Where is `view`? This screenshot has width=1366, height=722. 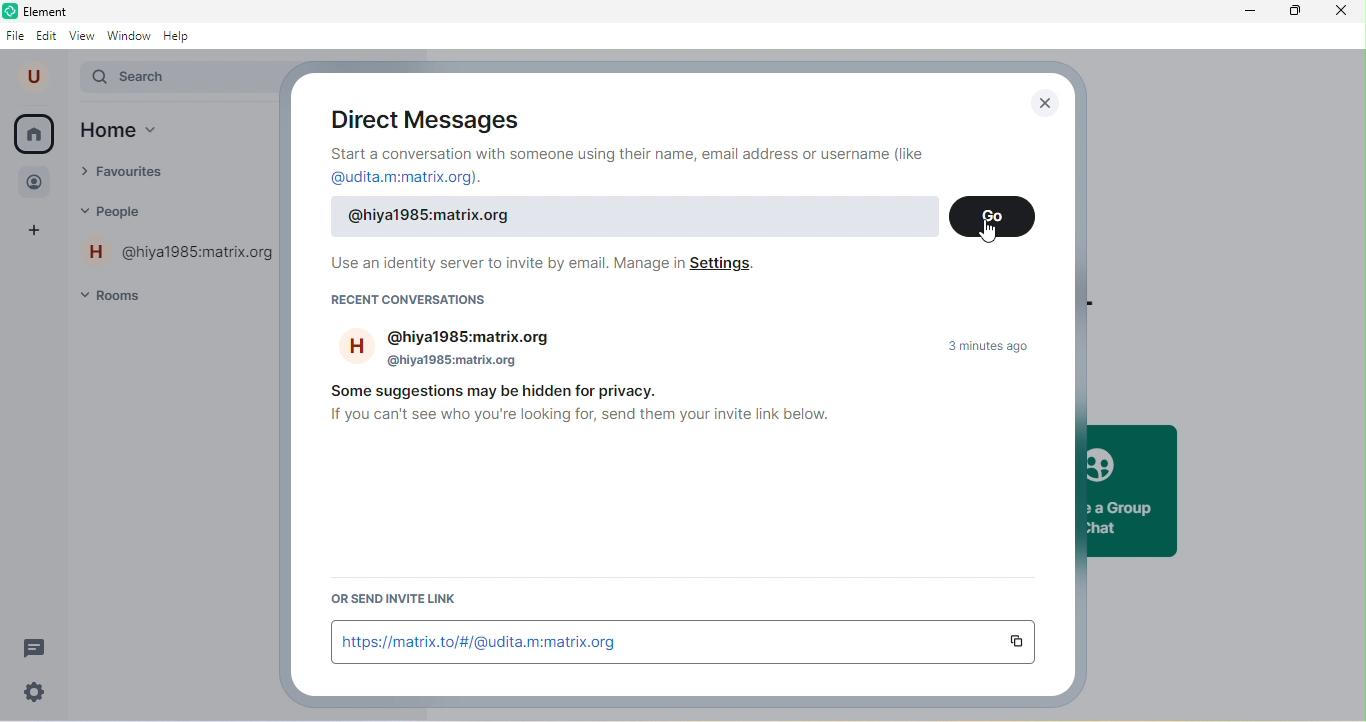
view is located at coordinates (82, 35).